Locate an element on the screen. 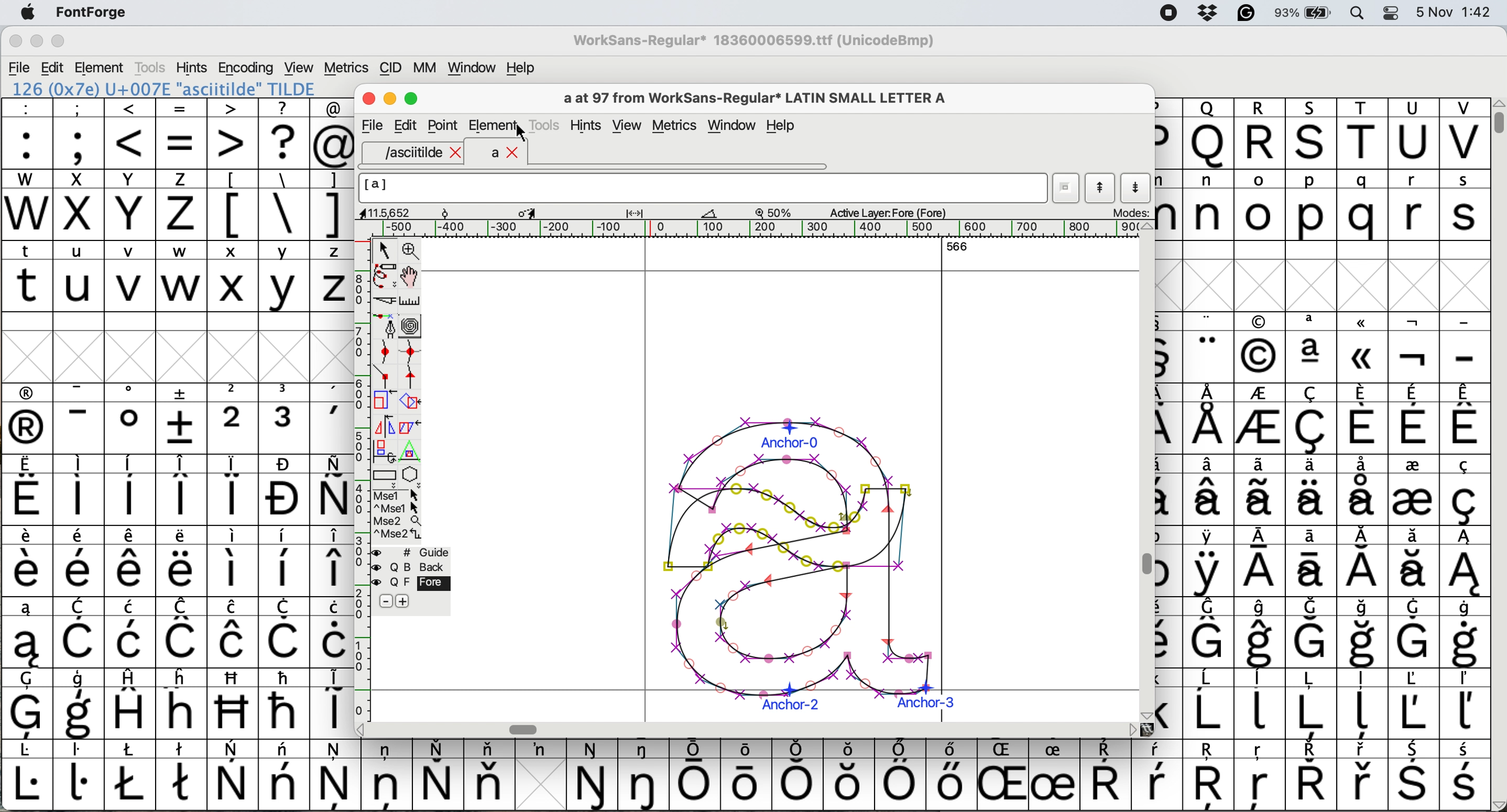 This screenshot has height=812, width=1507. symbol is located at coordinates (1260, 563).